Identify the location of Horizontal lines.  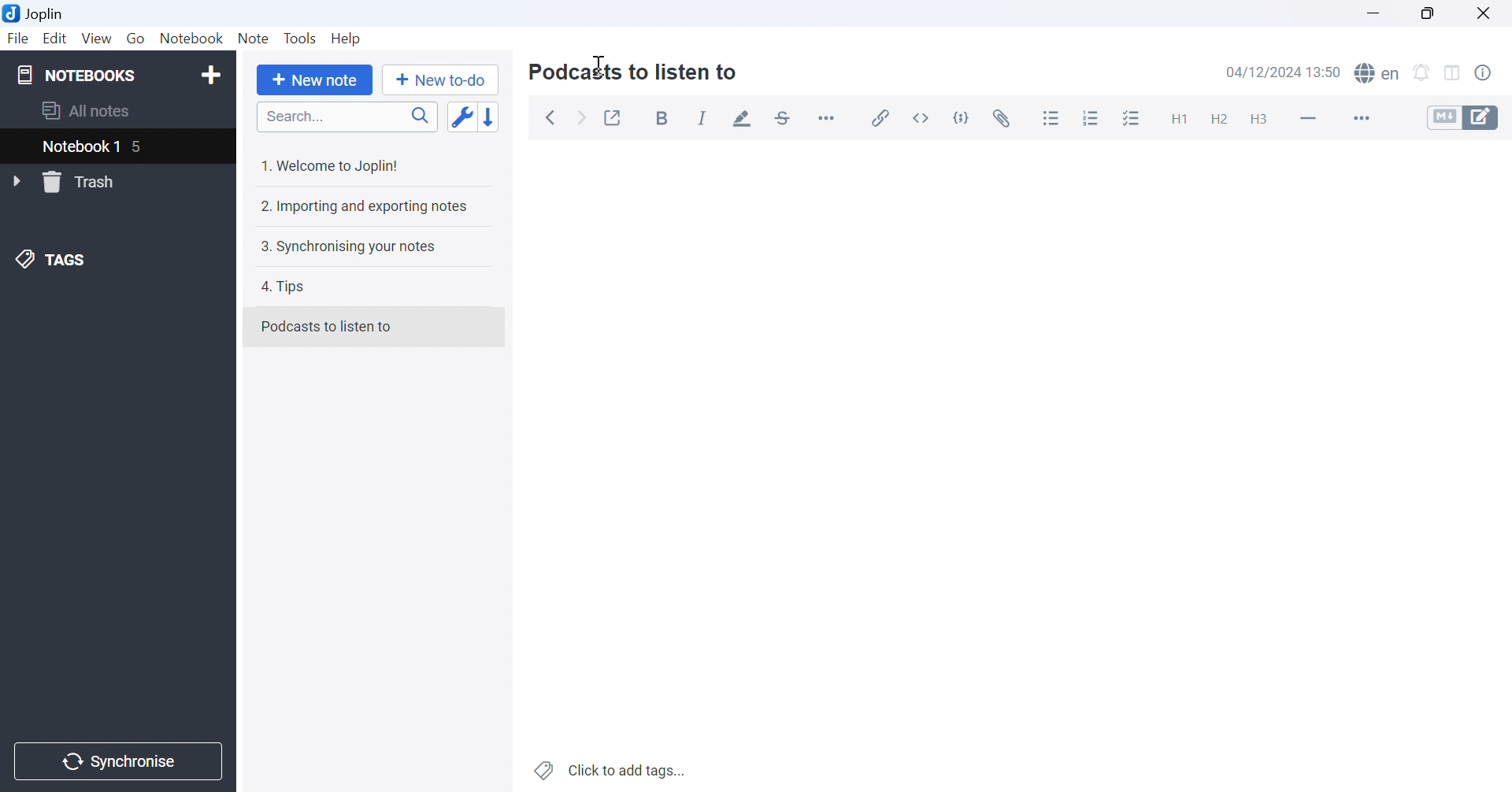
(1308, 117).